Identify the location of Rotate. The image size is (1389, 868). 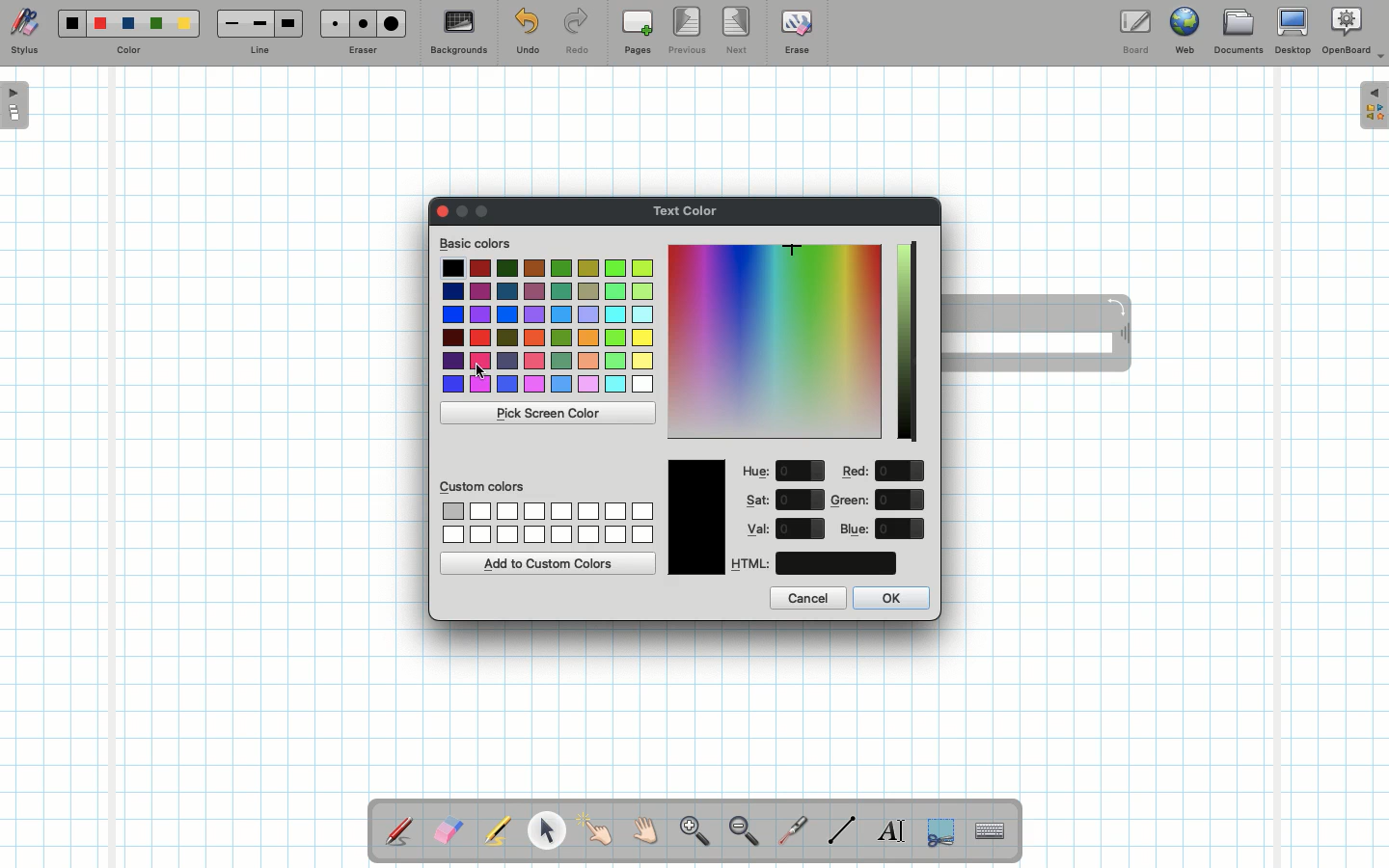
(1116, 306).